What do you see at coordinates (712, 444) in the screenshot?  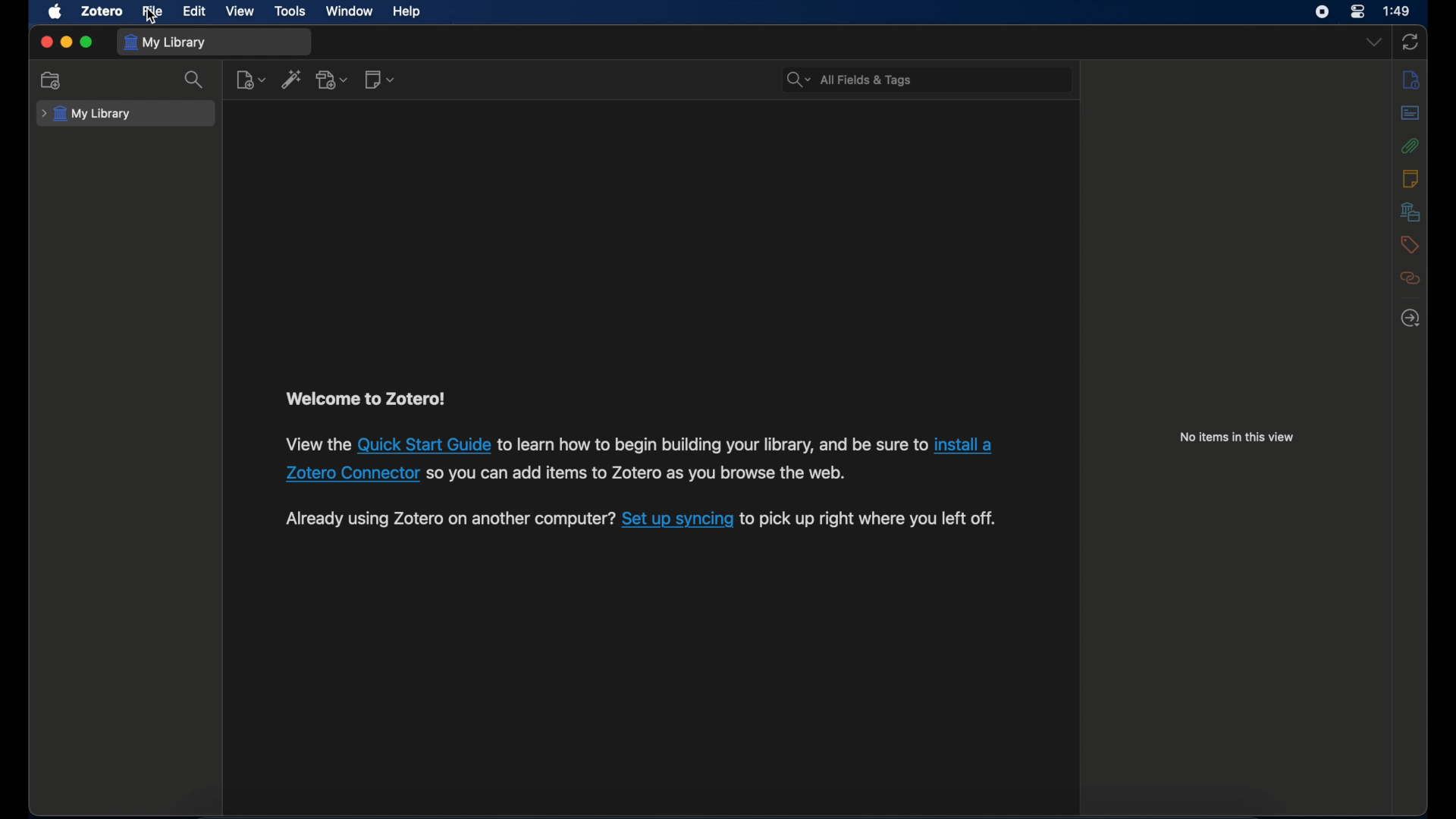 I see `to learn how to begin building your library, and be sure to` at bounding box center [712, 444].